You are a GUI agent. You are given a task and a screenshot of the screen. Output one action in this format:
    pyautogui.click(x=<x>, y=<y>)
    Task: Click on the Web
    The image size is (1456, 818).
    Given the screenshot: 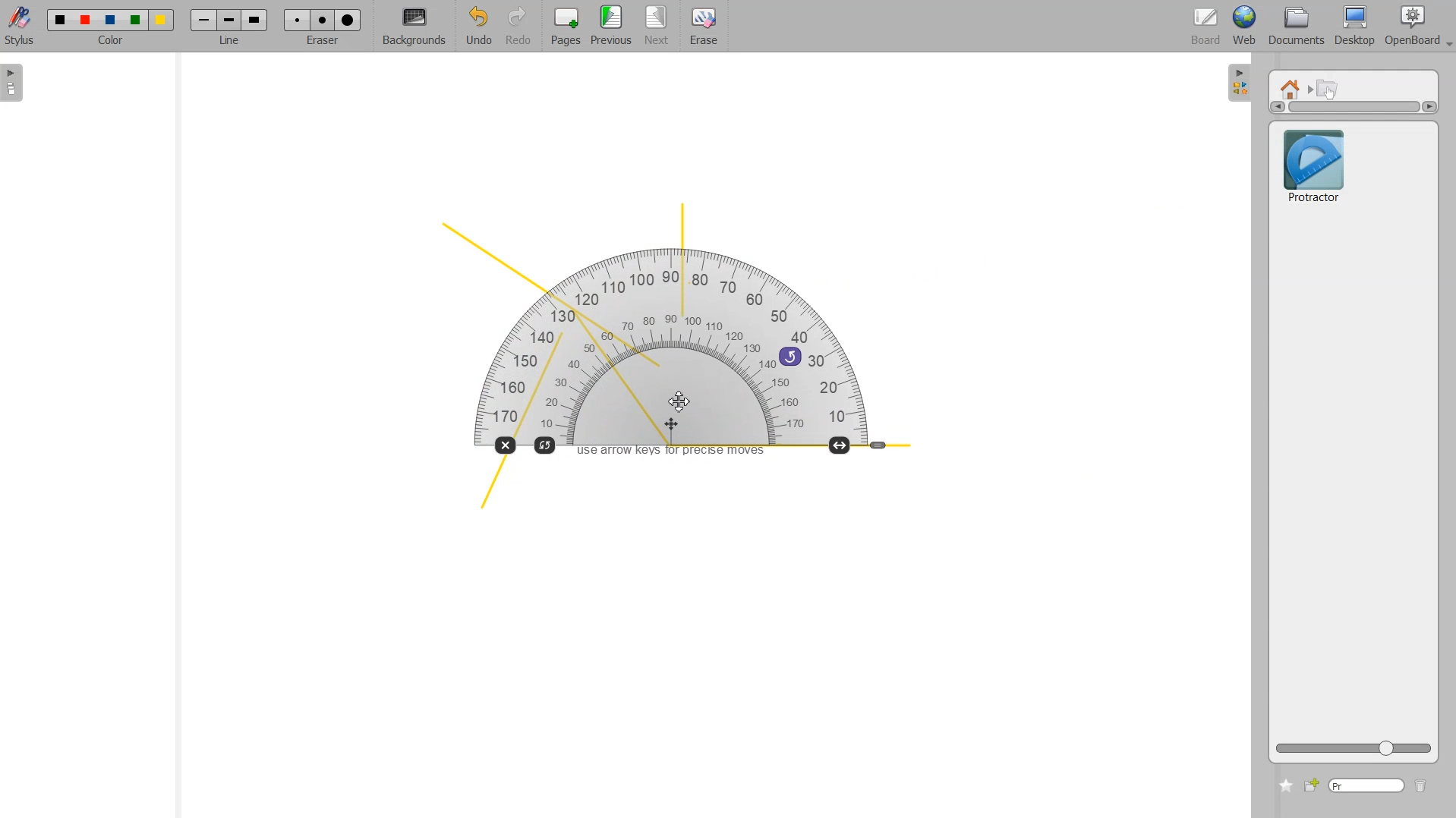 What is the action you would take?
    pyautogui.click(x=1245, y=27)
    